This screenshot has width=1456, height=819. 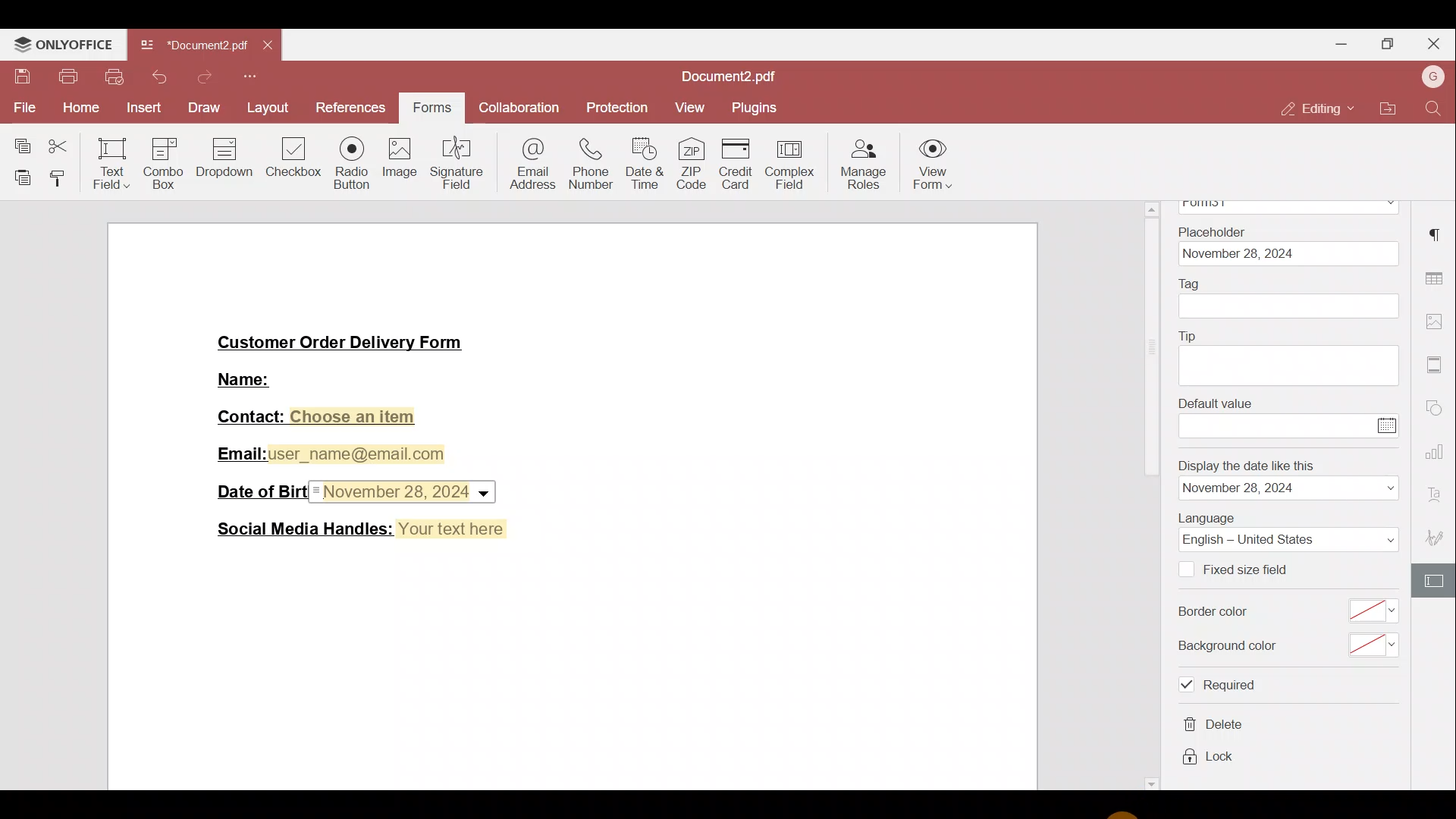 What do you see at coordinates (1438, 324) in the screenshot?
I see `Image settings` at bounding box center [1438, 324].